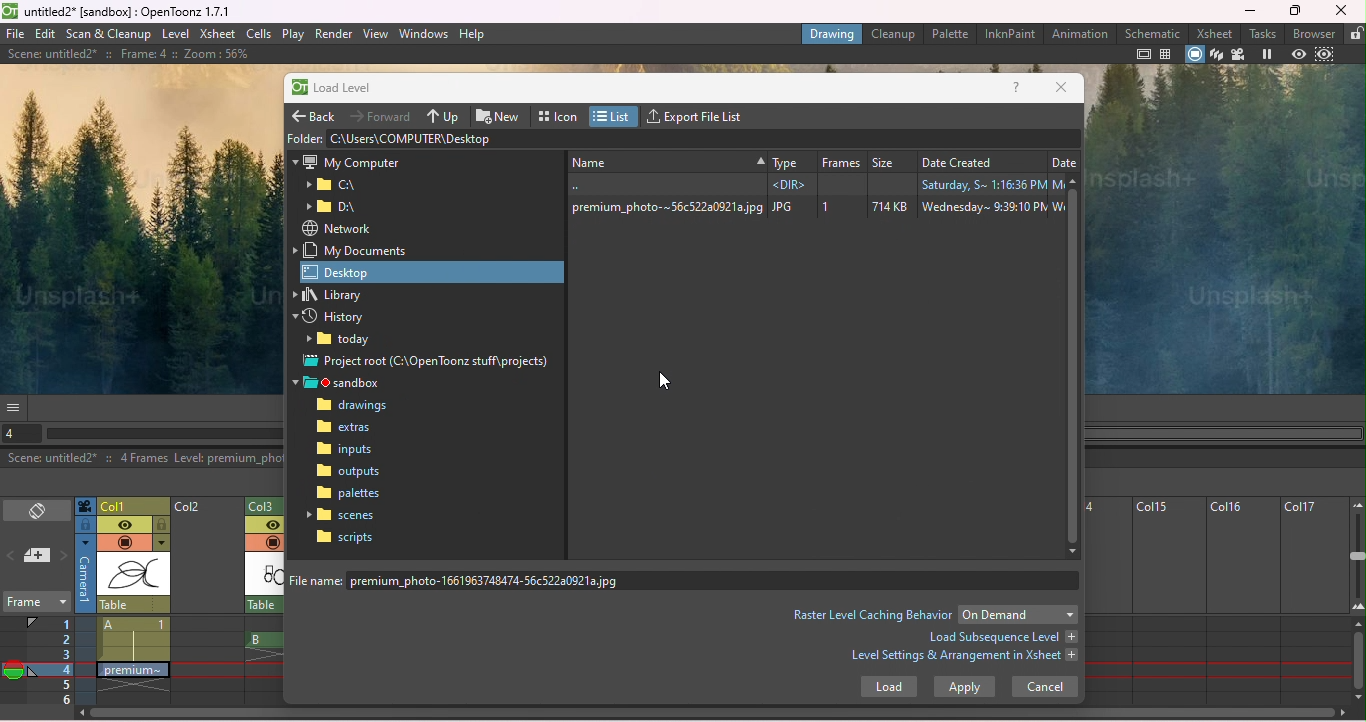 Image resolution: width=1366 pixels, height=722 pixels. Describe the element at coordinates (1064, 159) in the screenshot. I see `Date ` at that location.